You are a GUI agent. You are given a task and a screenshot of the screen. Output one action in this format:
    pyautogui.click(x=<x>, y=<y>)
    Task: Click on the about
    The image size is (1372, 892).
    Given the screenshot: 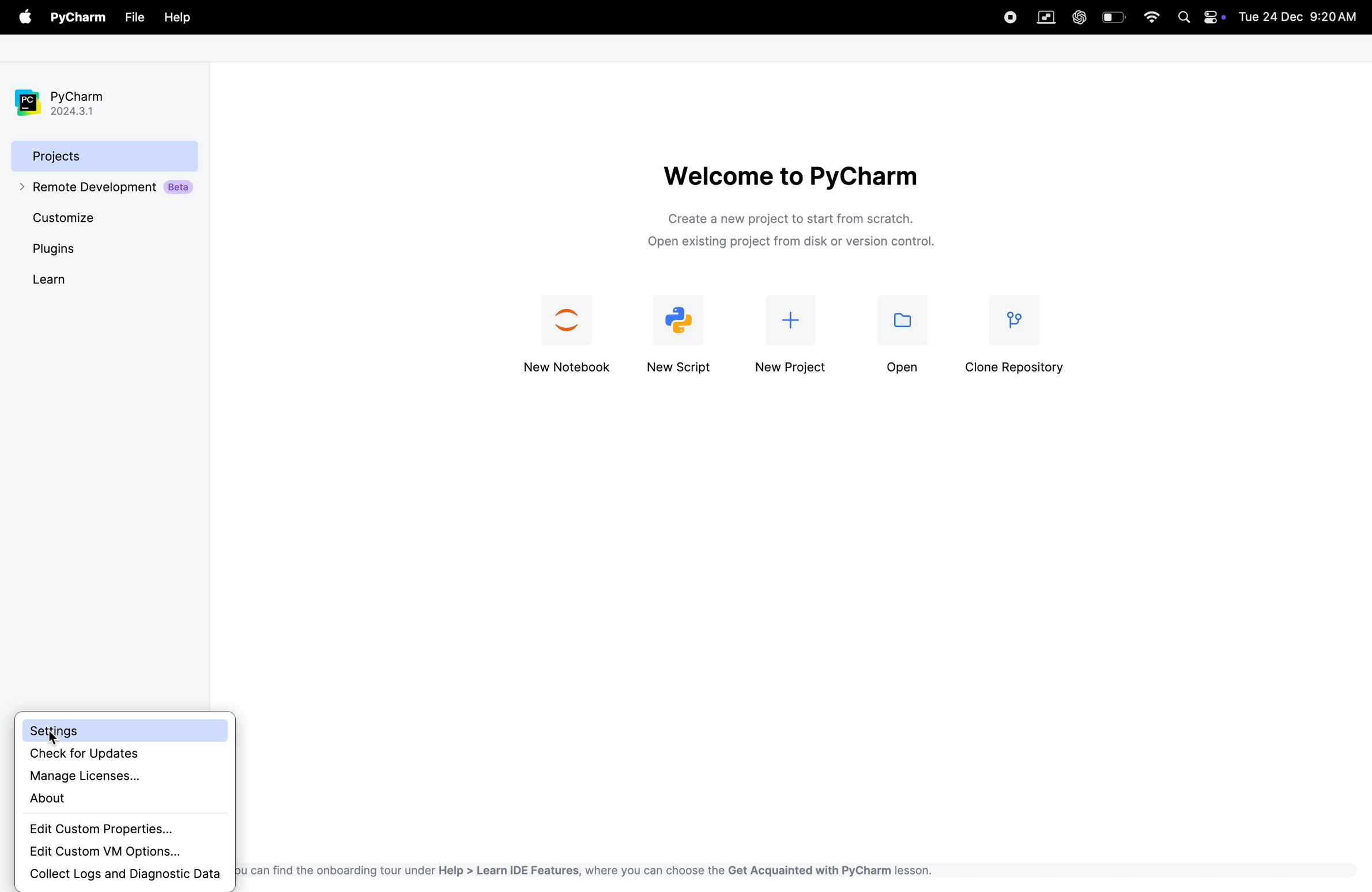 What is the action you would take?
    pyautogui.click(x=116, y=798)
    